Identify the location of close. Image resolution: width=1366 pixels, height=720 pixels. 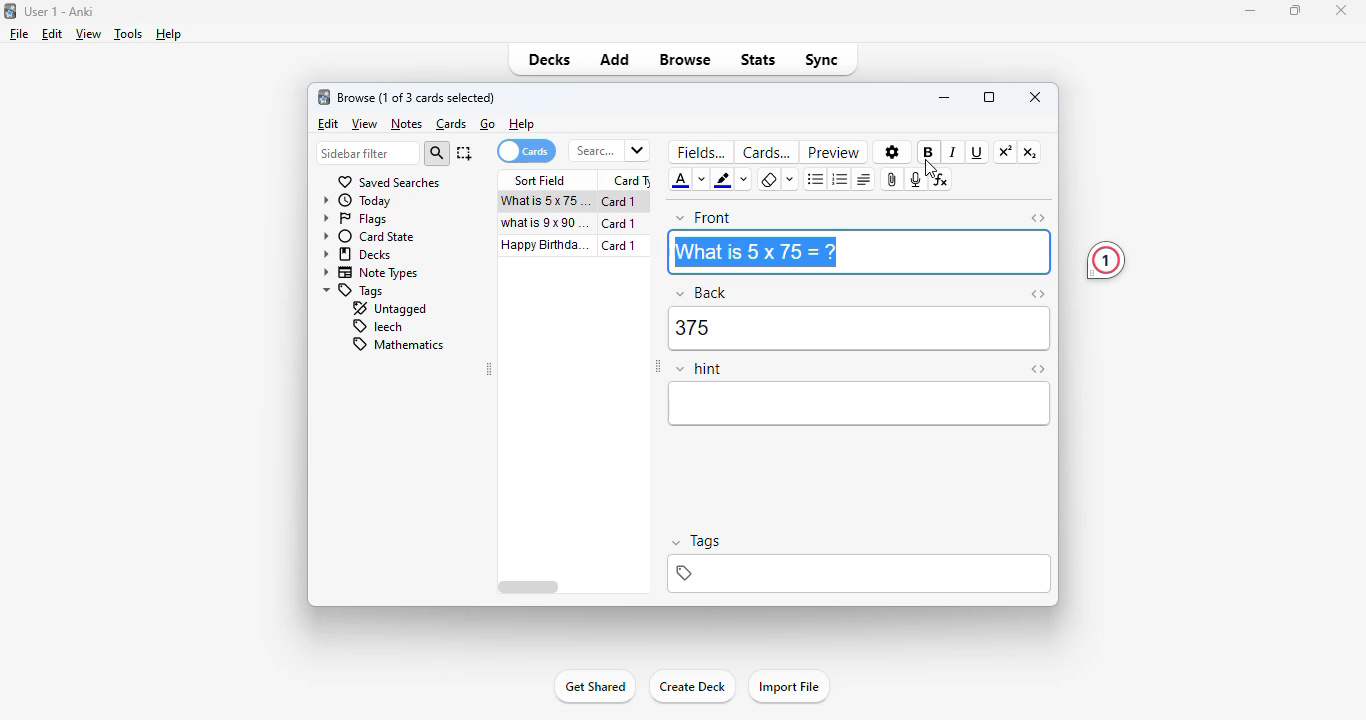
(1341, 11).